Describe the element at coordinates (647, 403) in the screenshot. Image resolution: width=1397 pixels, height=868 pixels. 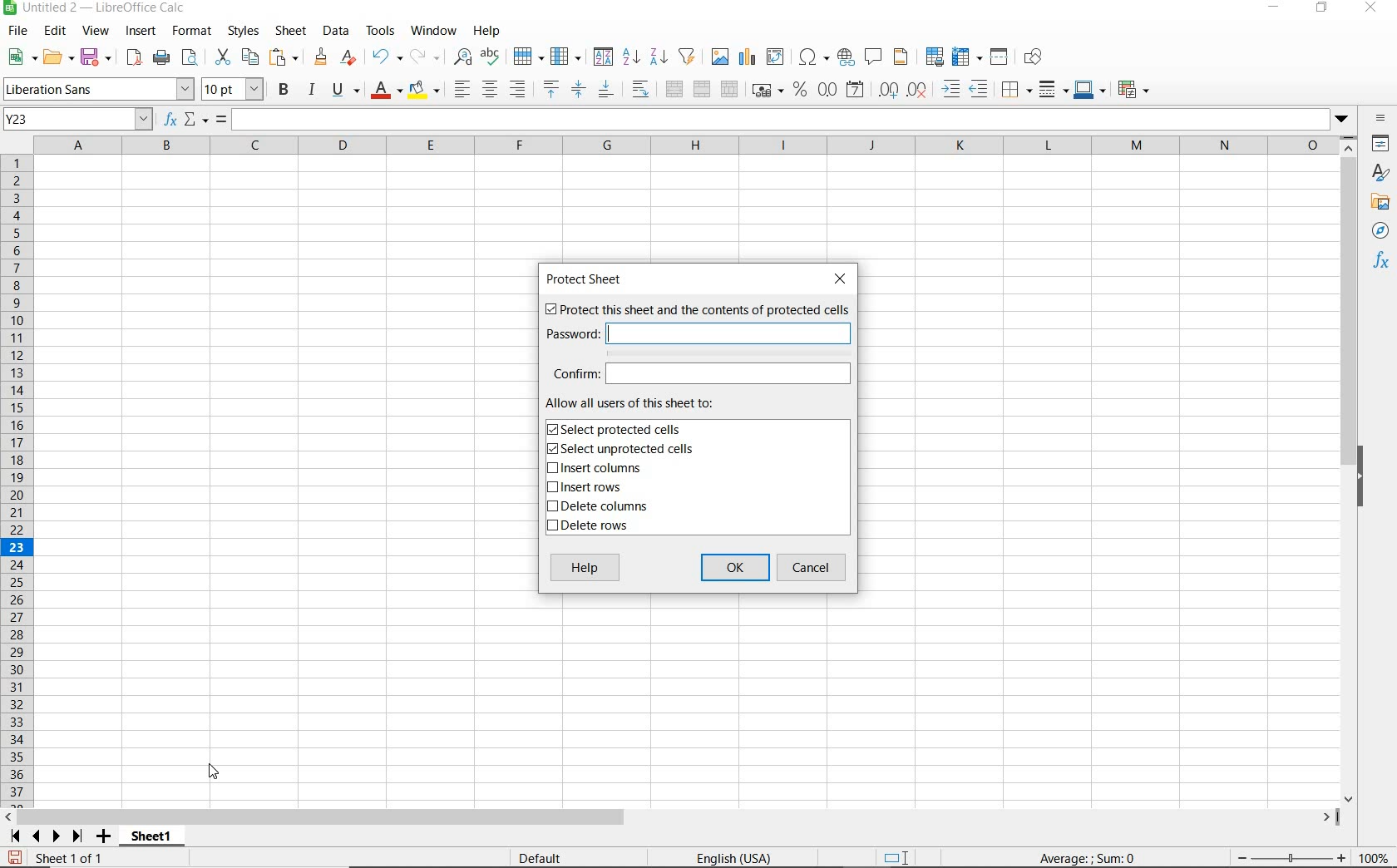
I see `ALLOW ALL USERS OF THIS SHEET TO:` at that location.